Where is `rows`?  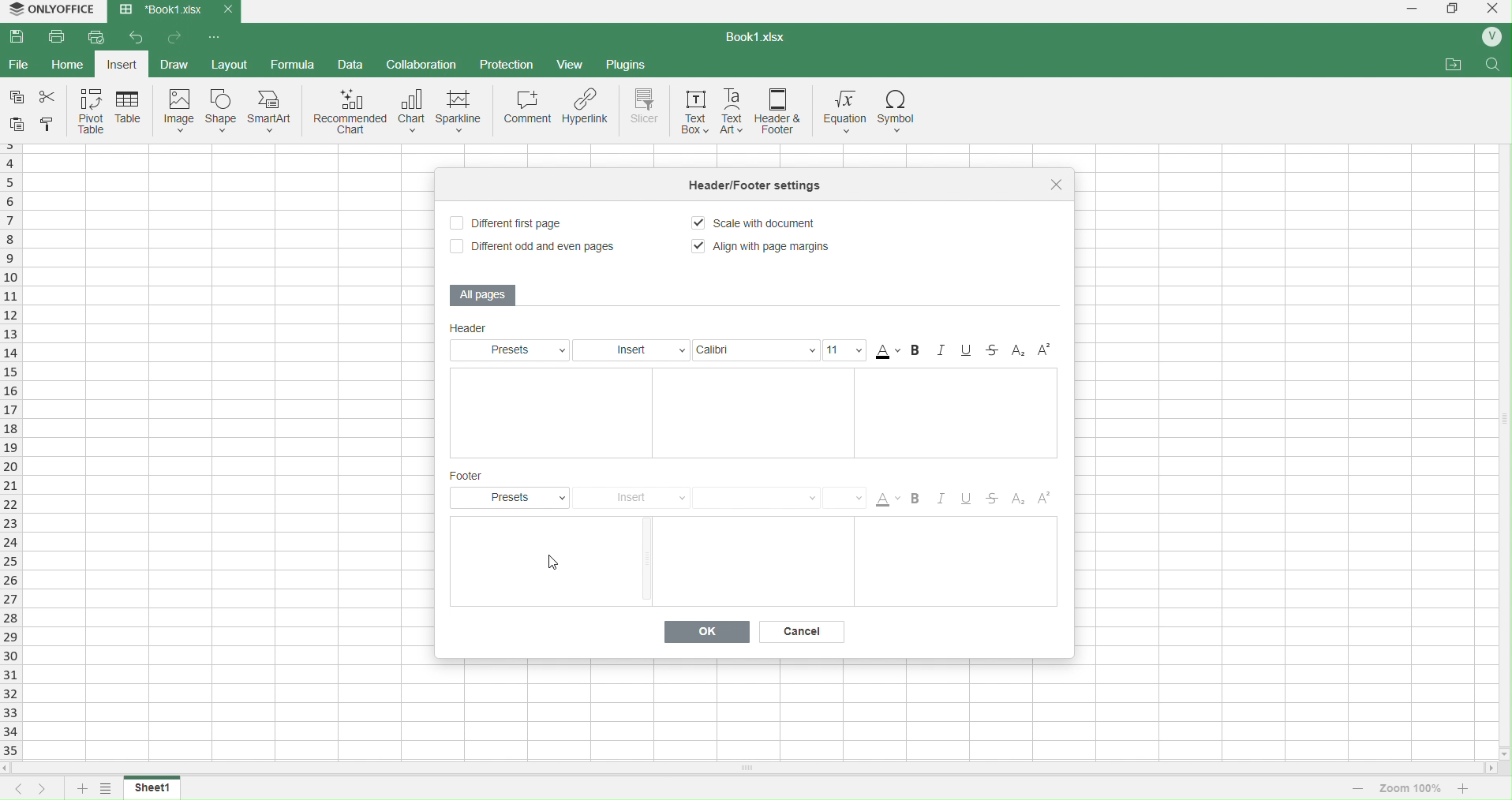 rows is located at coordinates (11, 450).